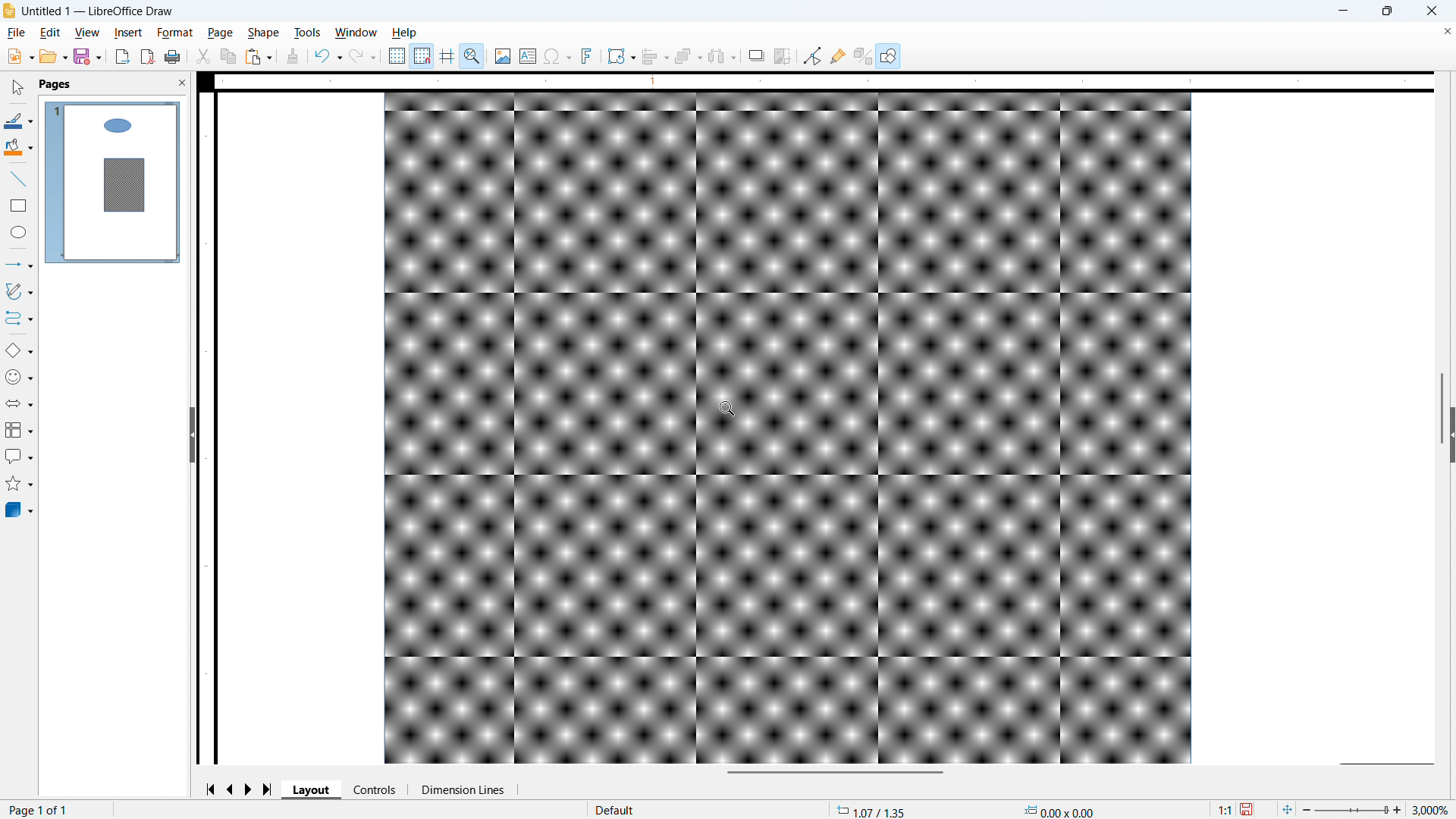 The height and width of the screenshot is (819, 1456). Describe the element at coordinates (20, 484) in the screenshot. I see `Stars and banners ` at that location.